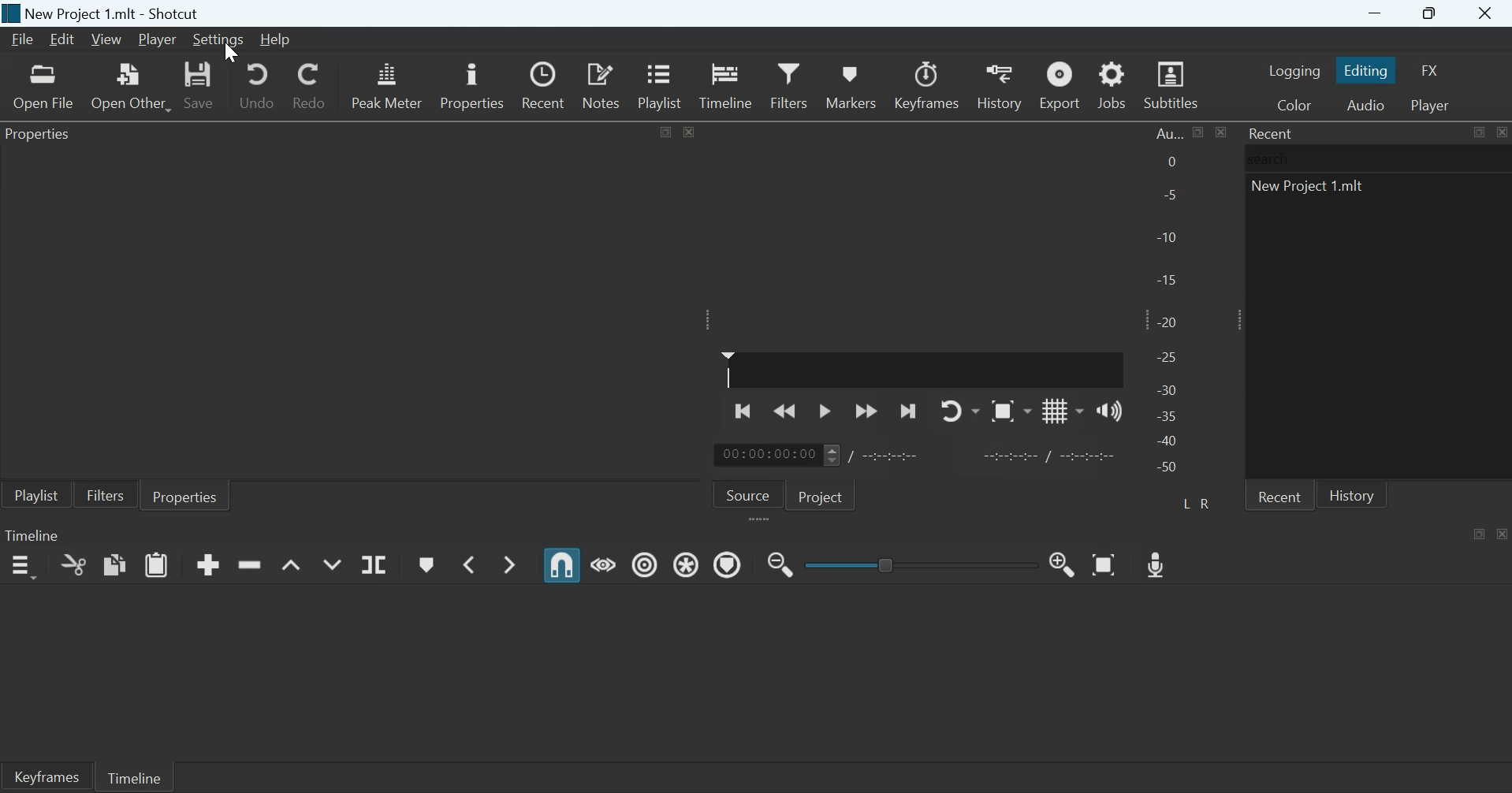 This screenshot has height=793, width=1512. Describe the element at coordinates (766, 455) in the screenshot. I see `Timeline time` at that location.